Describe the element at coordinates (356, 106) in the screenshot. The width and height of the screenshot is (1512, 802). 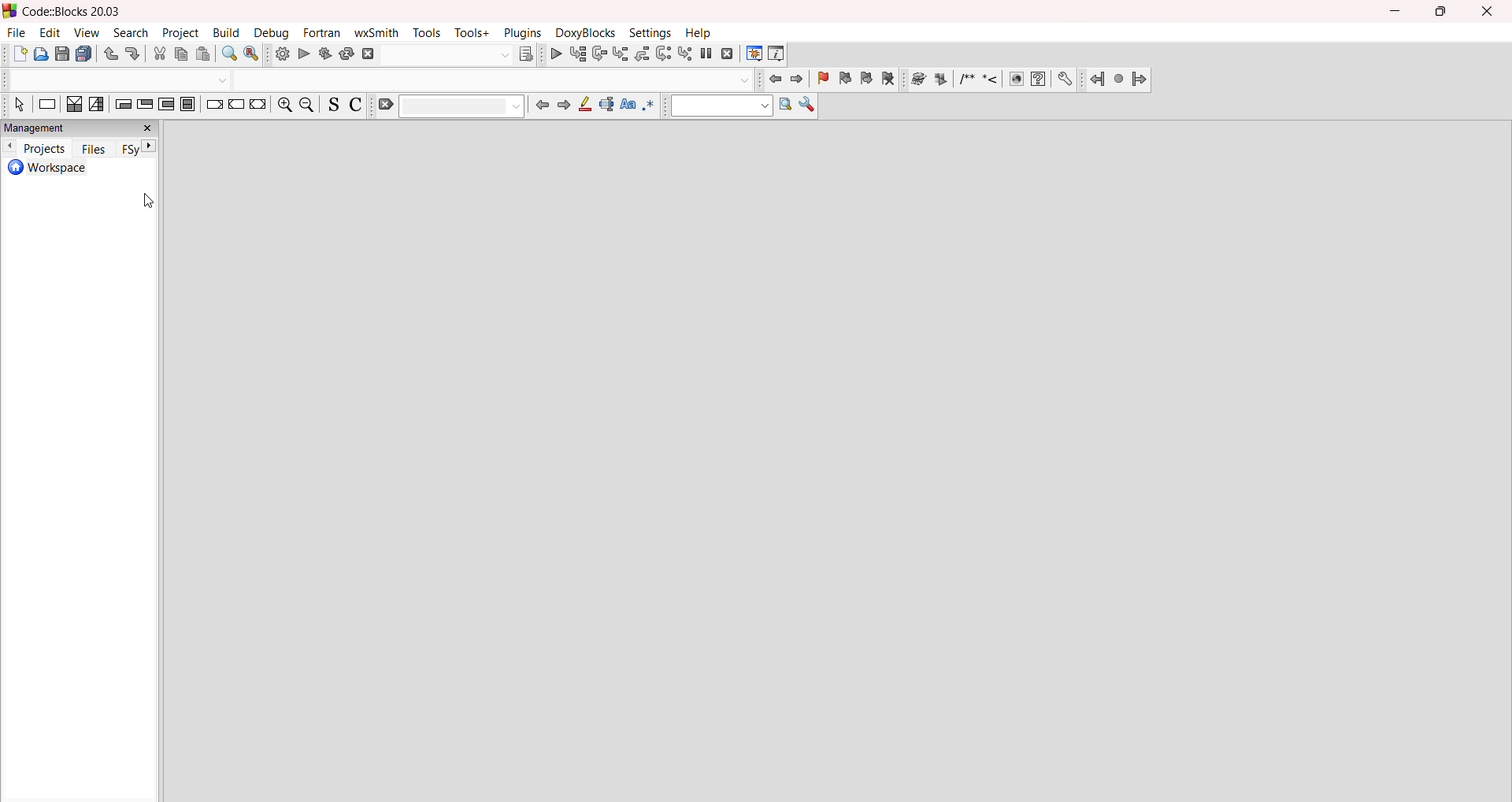
I see `toggle comments` at that location.